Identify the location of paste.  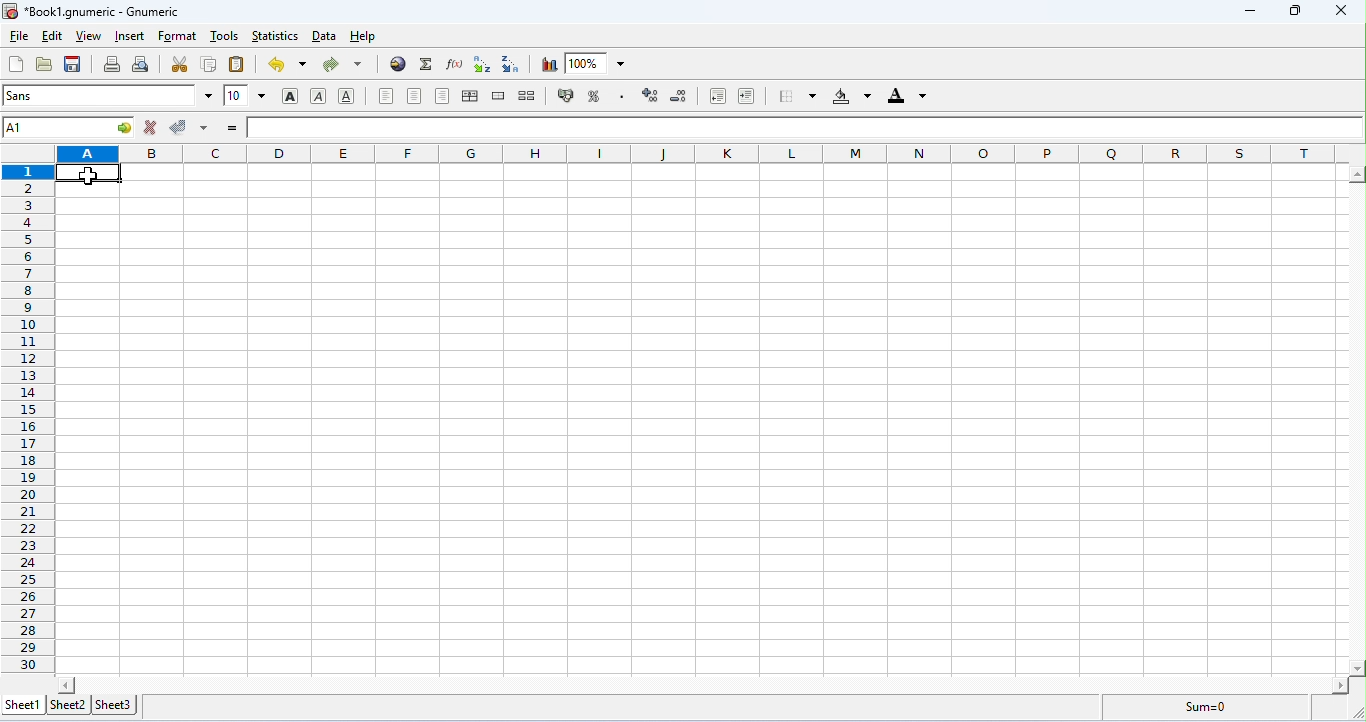
(237, 64).